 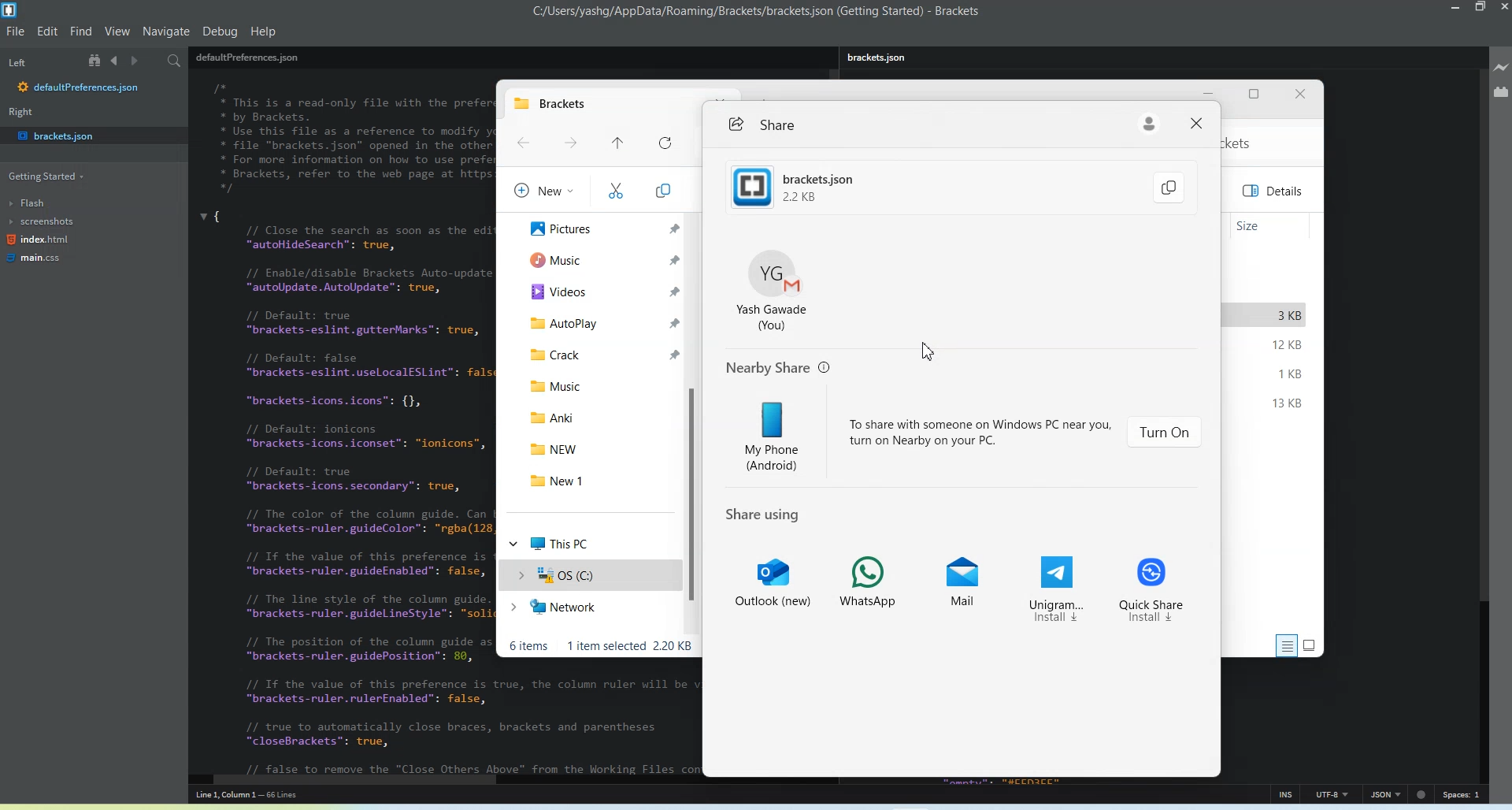 I want to click on Getting Started, so click(x=43, y=177).